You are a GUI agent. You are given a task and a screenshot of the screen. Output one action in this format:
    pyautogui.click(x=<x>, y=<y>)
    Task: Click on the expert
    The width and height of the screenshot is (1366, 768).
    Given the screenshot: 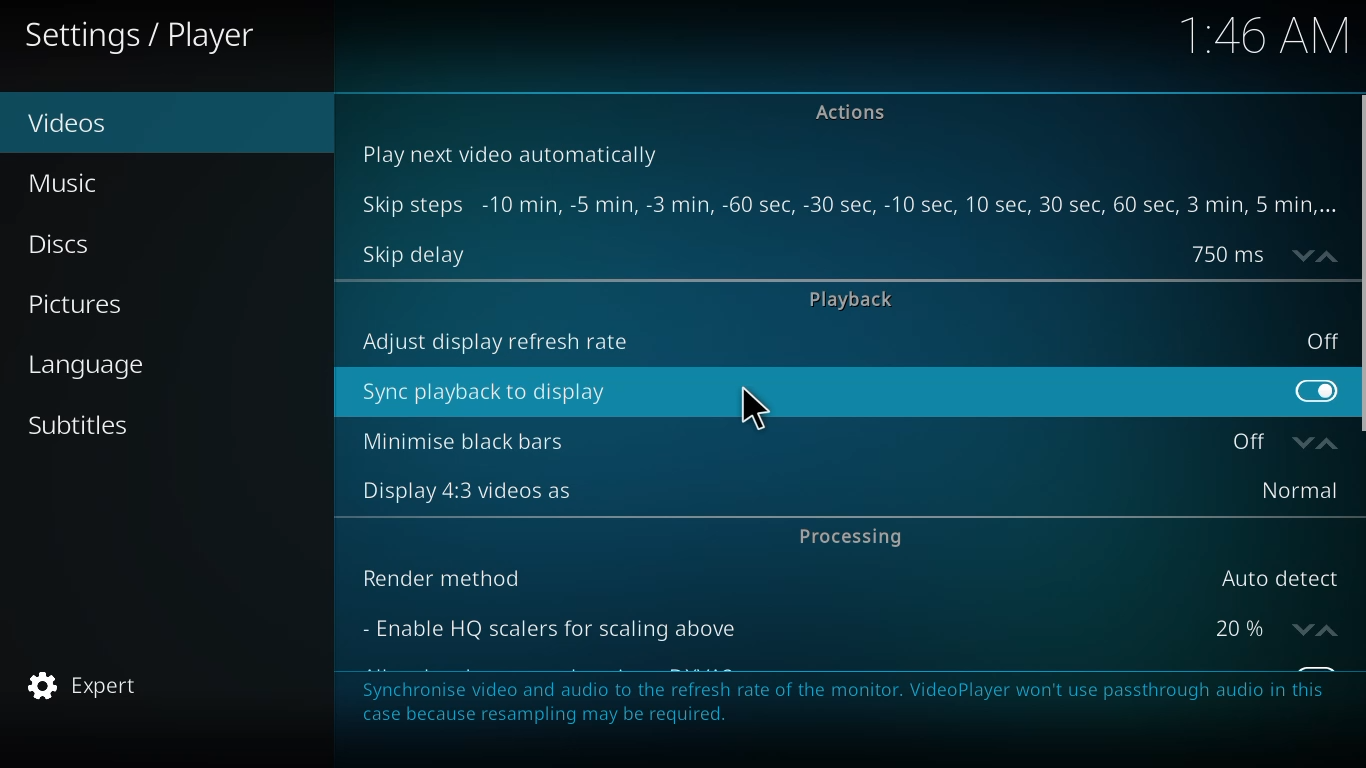 What is the action you would take?
    pyautogui.click(x=87, y=683)
    